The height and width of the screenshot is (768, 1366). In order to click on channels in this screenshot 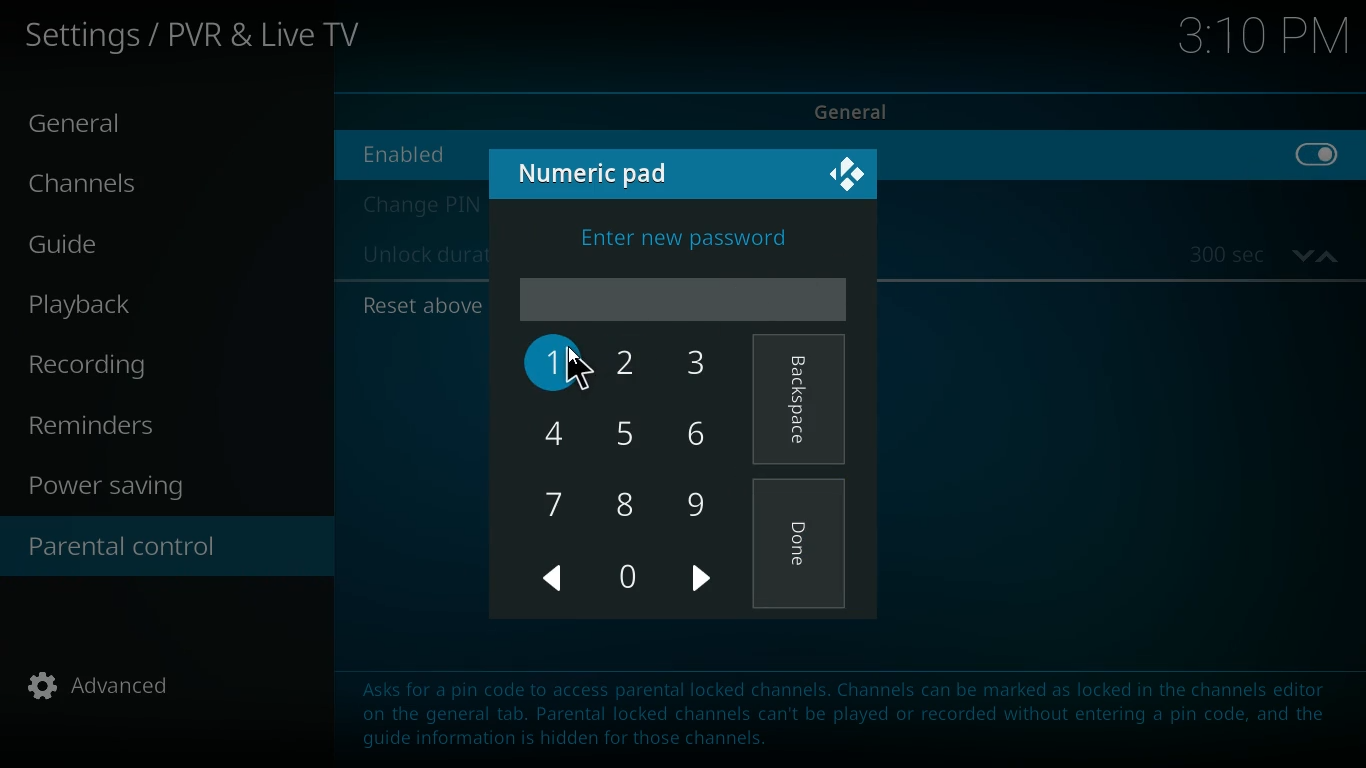, I will do `click(101, 188)`.